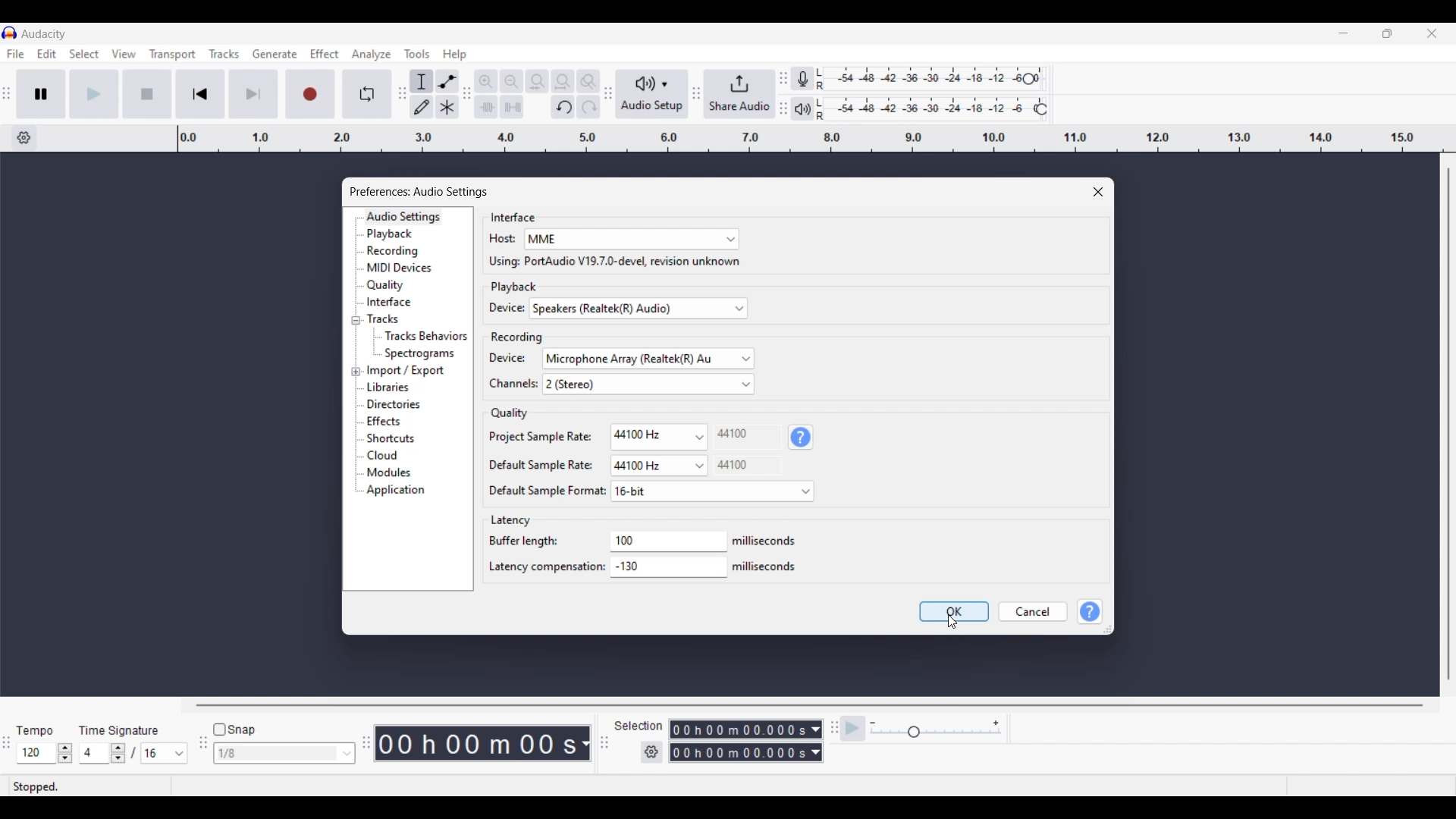  I want to click on Help menu, so click(454, 55).